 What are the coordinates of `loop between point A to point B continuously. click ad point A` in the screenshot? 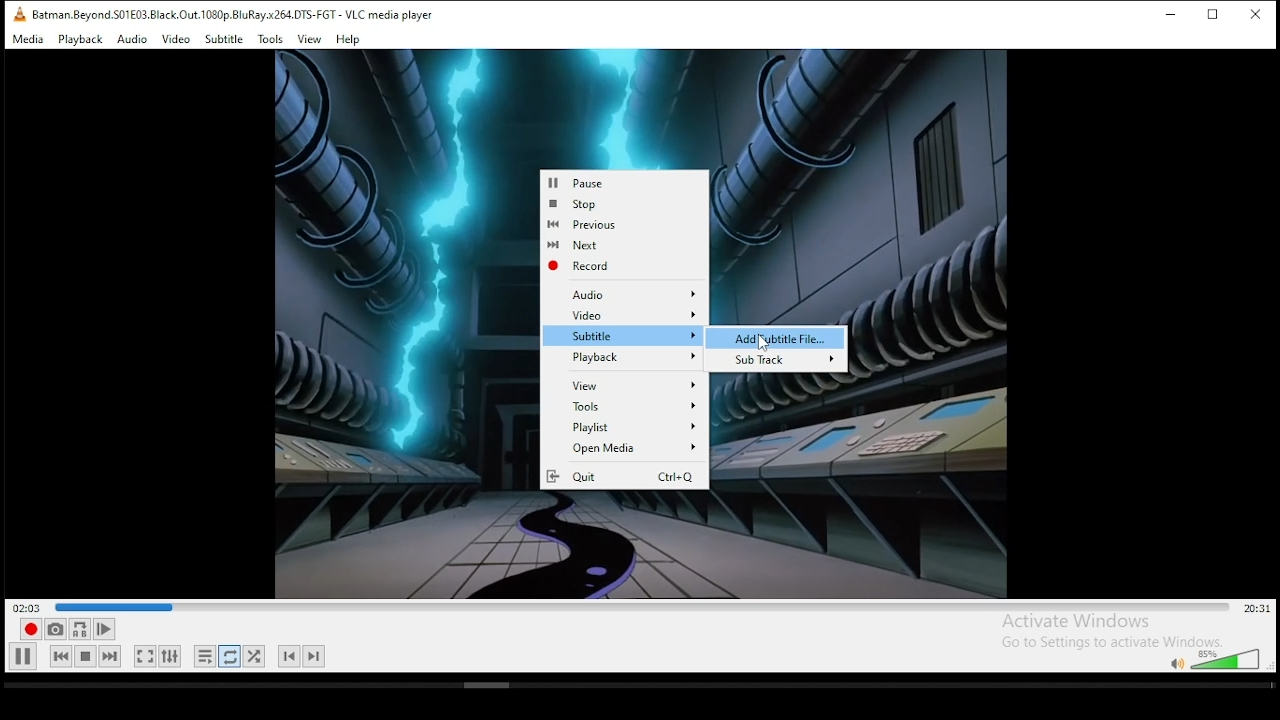 It's located at (80, 629).